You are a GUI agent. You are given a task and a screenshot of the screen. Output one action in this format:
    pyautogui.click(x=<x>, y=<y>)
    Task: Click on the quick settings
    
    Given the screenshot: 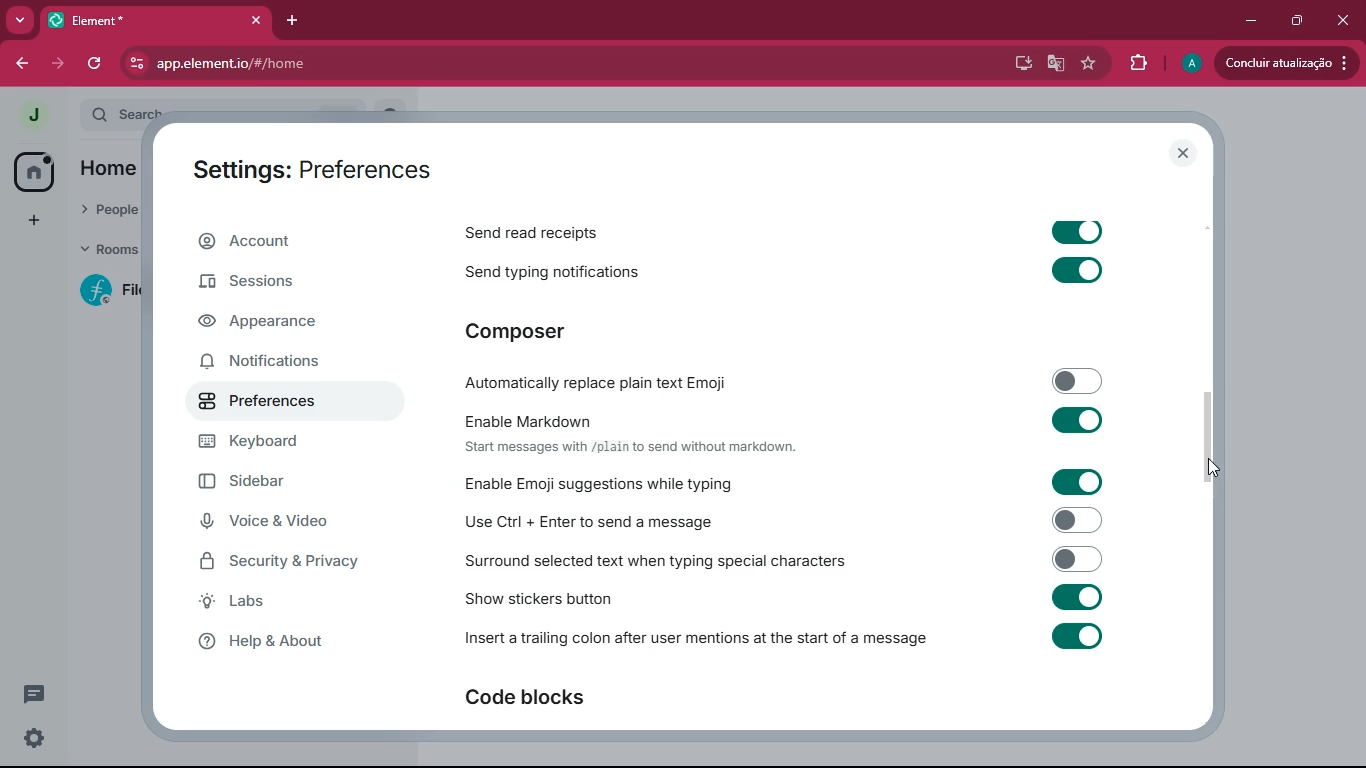 What is the action you would take?
    pyautogui.click(x=35, y=737)
    